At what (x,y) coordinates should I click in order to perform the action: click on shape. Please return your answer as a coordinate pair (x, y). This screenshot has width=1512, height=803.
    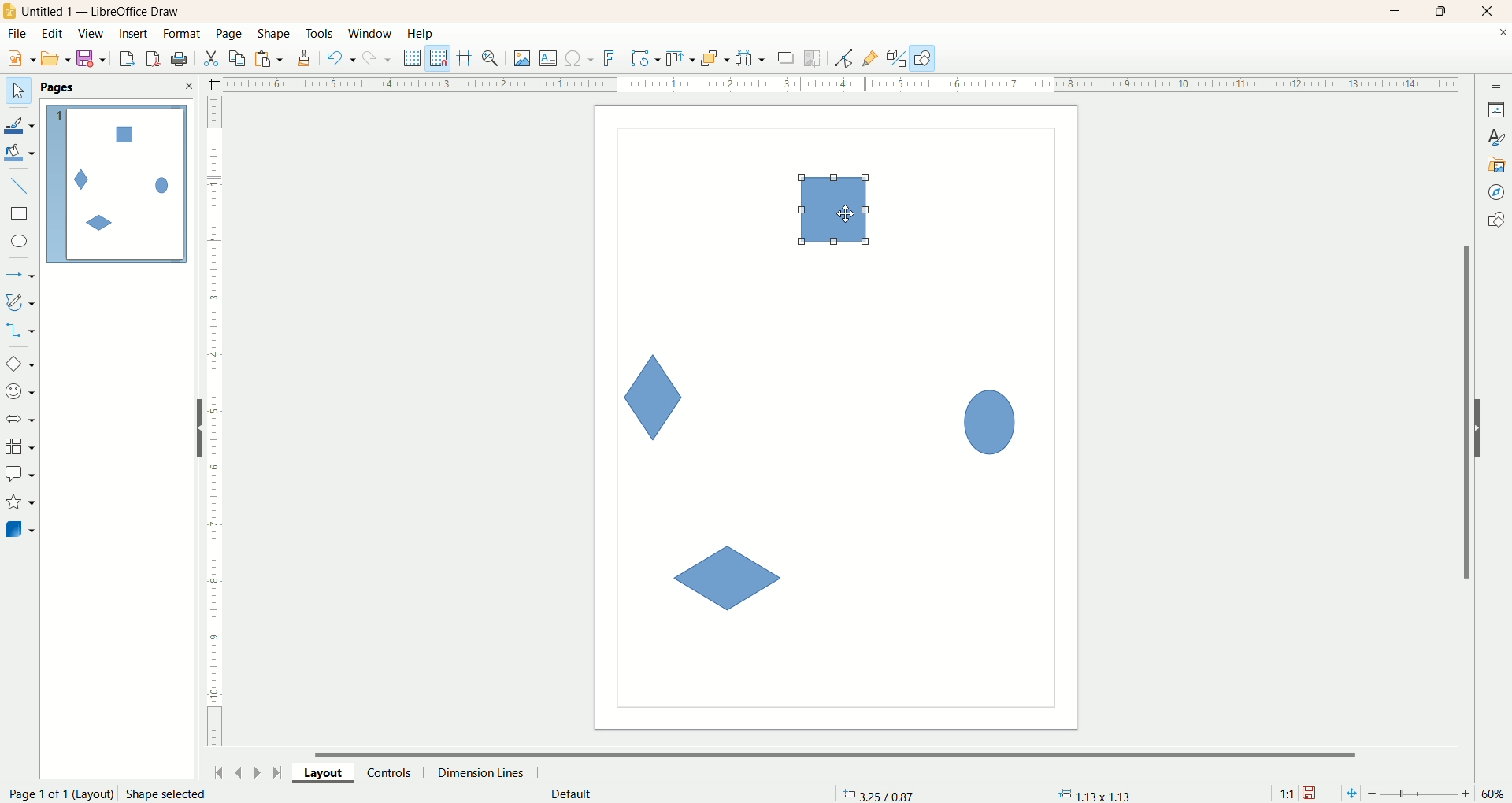
    Looking at the image, I should click on (275, 35).